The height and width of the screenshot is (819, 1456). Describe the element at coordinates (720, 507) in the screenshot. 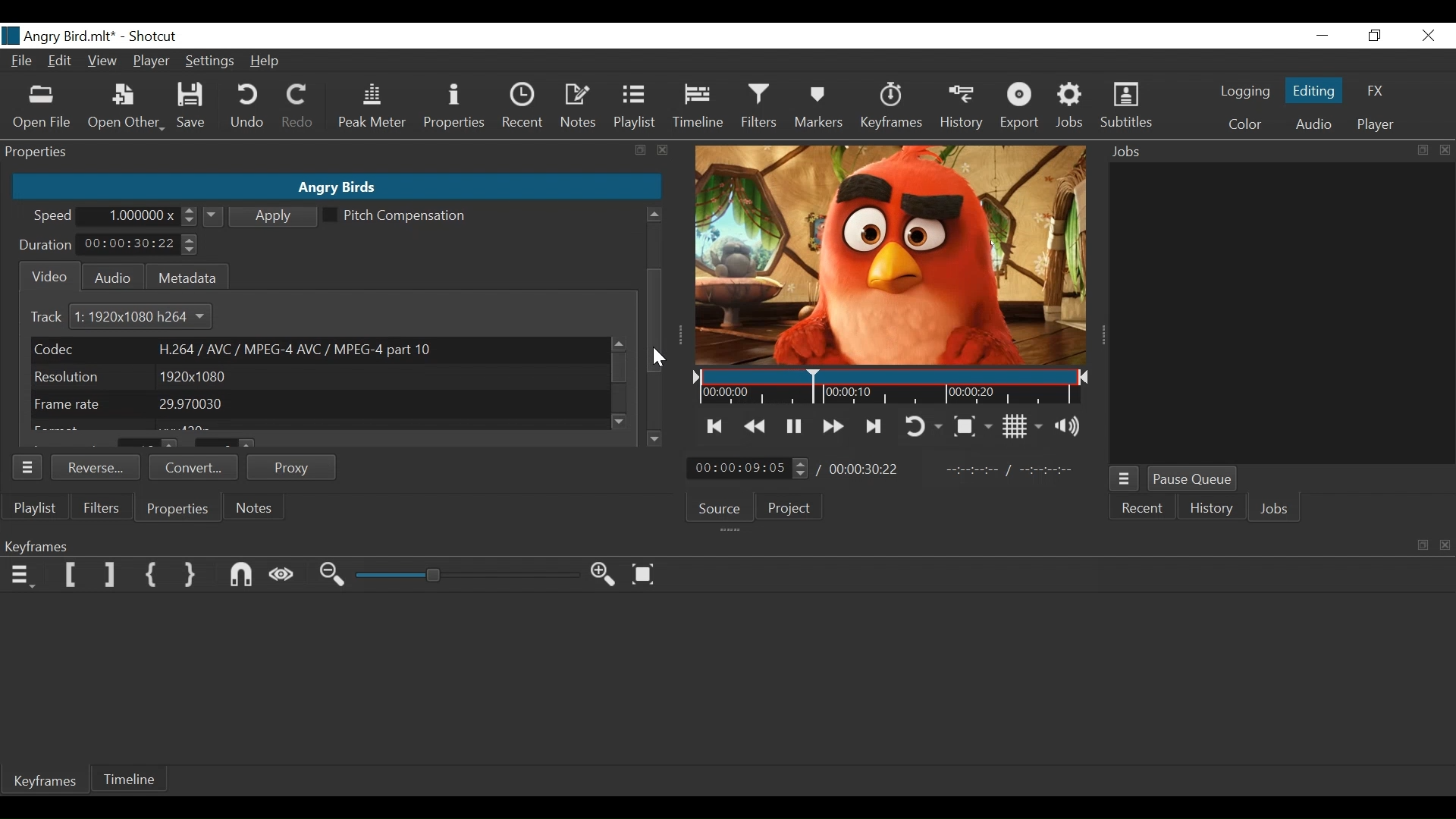

I see `Source` at that location.